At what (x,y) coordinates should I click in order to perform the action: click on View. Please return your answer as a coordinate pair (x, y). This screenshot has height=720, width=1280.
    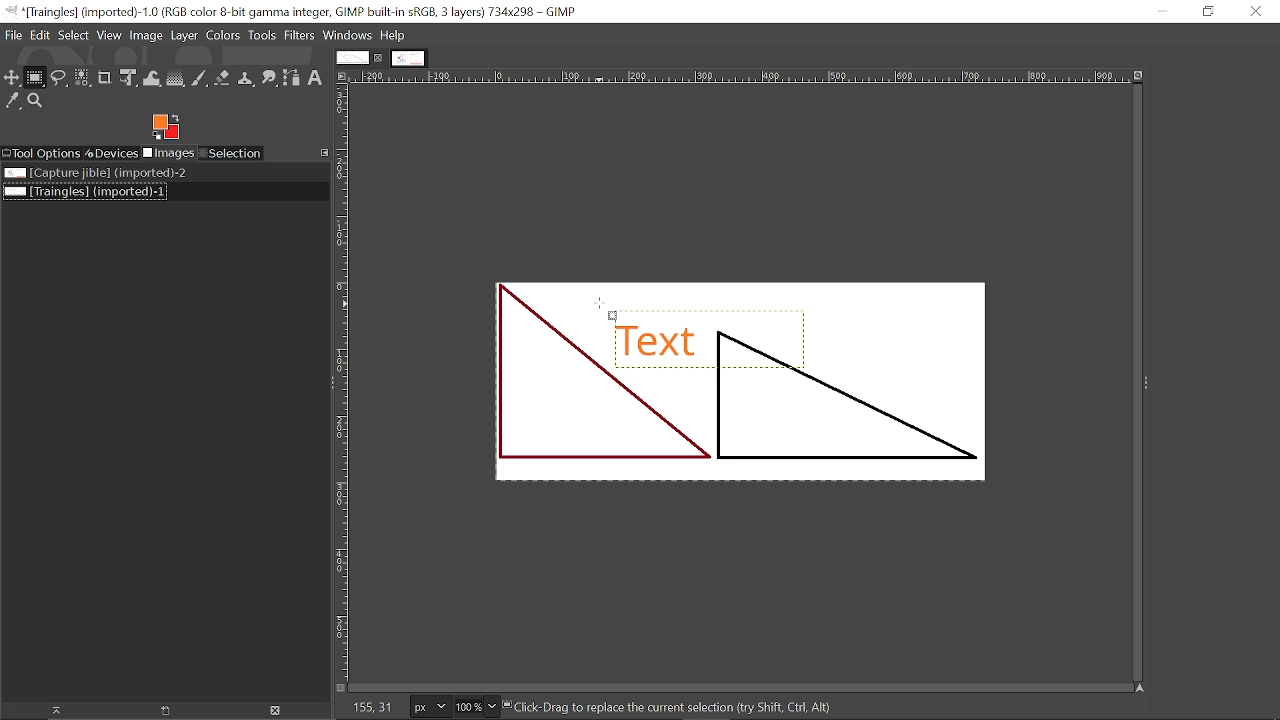
    Looking at the image, I should click on (110, 37).